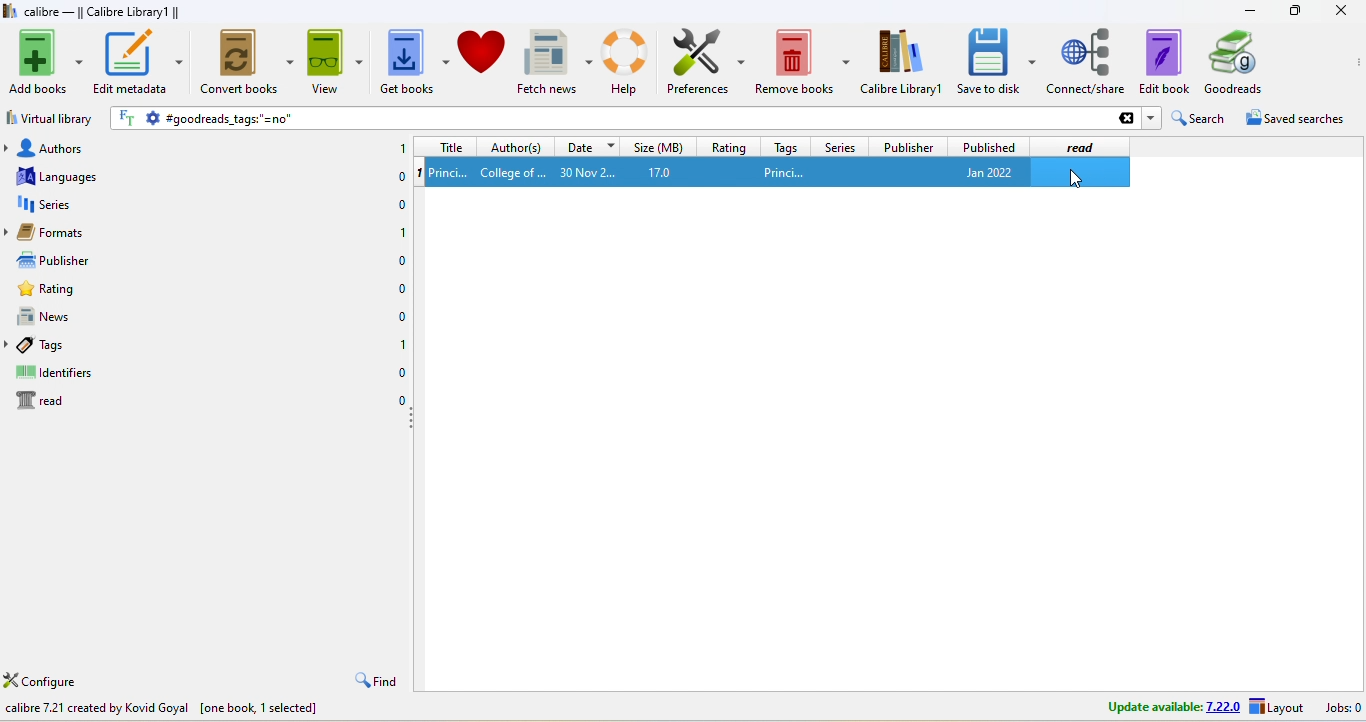 The width and height of the screenshot is (1366, 722). I want to click on update avalable 7.22.0, so click(1168, 707).